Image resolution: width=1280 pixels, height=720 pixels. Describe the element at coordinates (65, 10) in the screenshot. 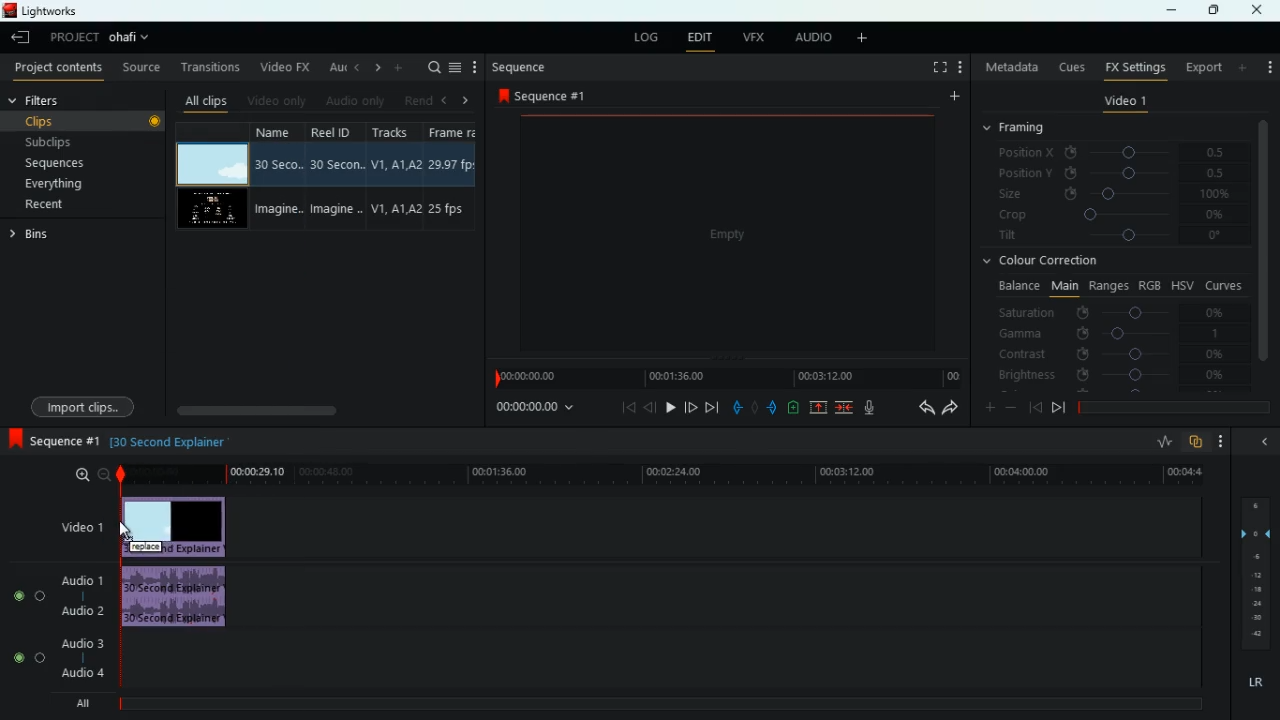

I see `lightworks` at that location.